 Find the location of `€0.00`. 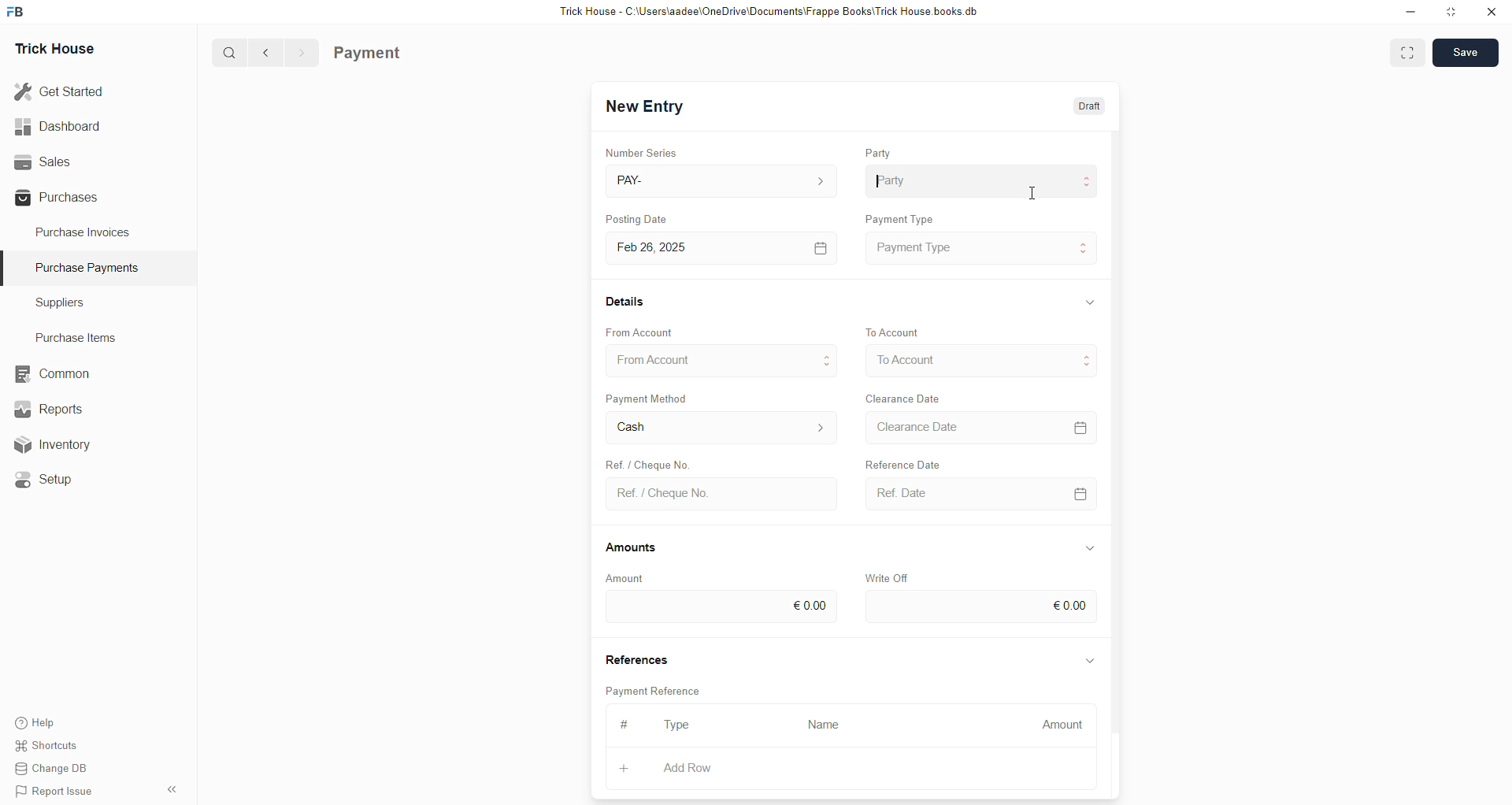

€0.00 is located at coordinates (980, 607).